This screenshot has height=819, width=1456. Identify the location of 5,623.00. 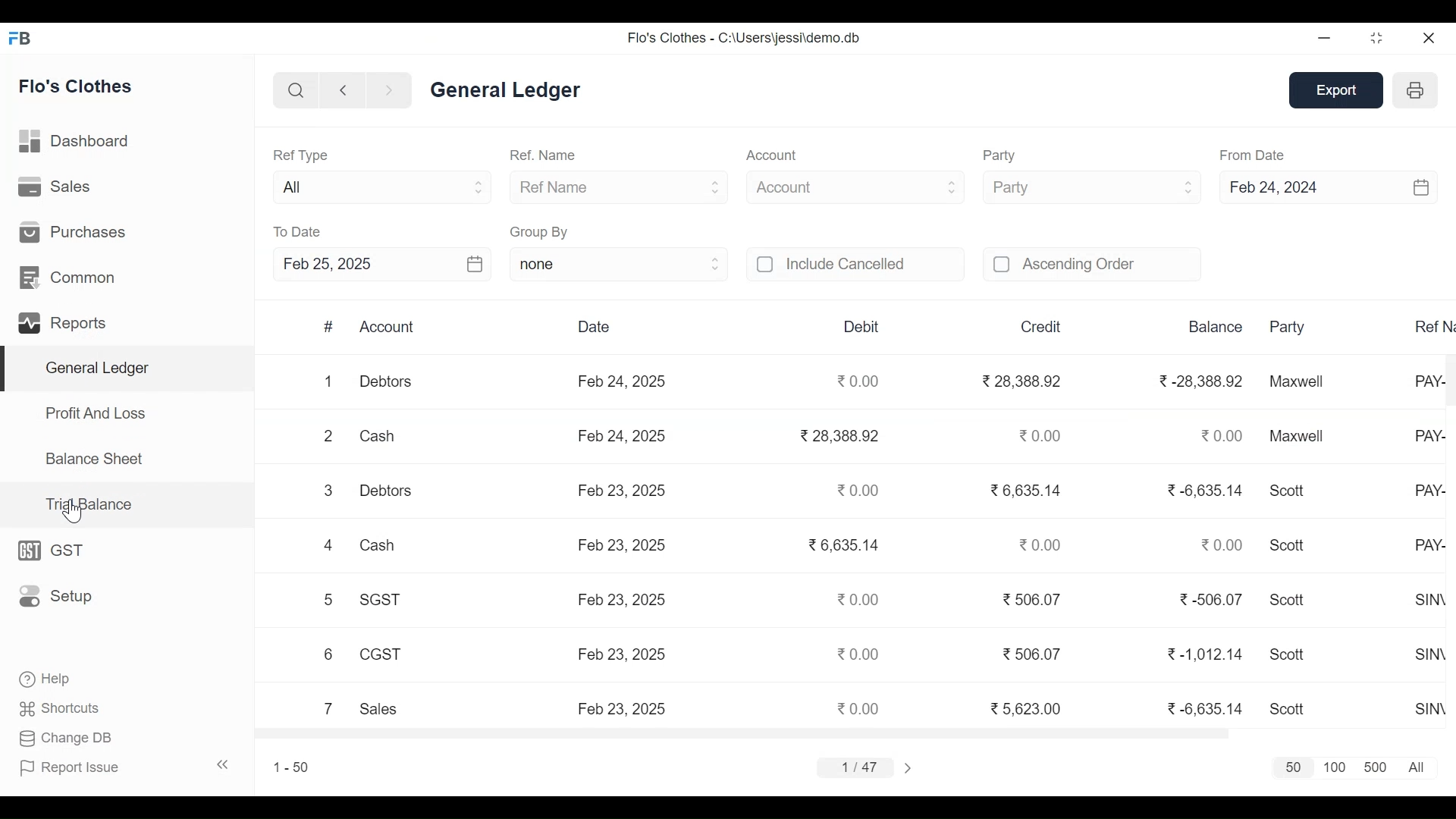
(1025, 708).